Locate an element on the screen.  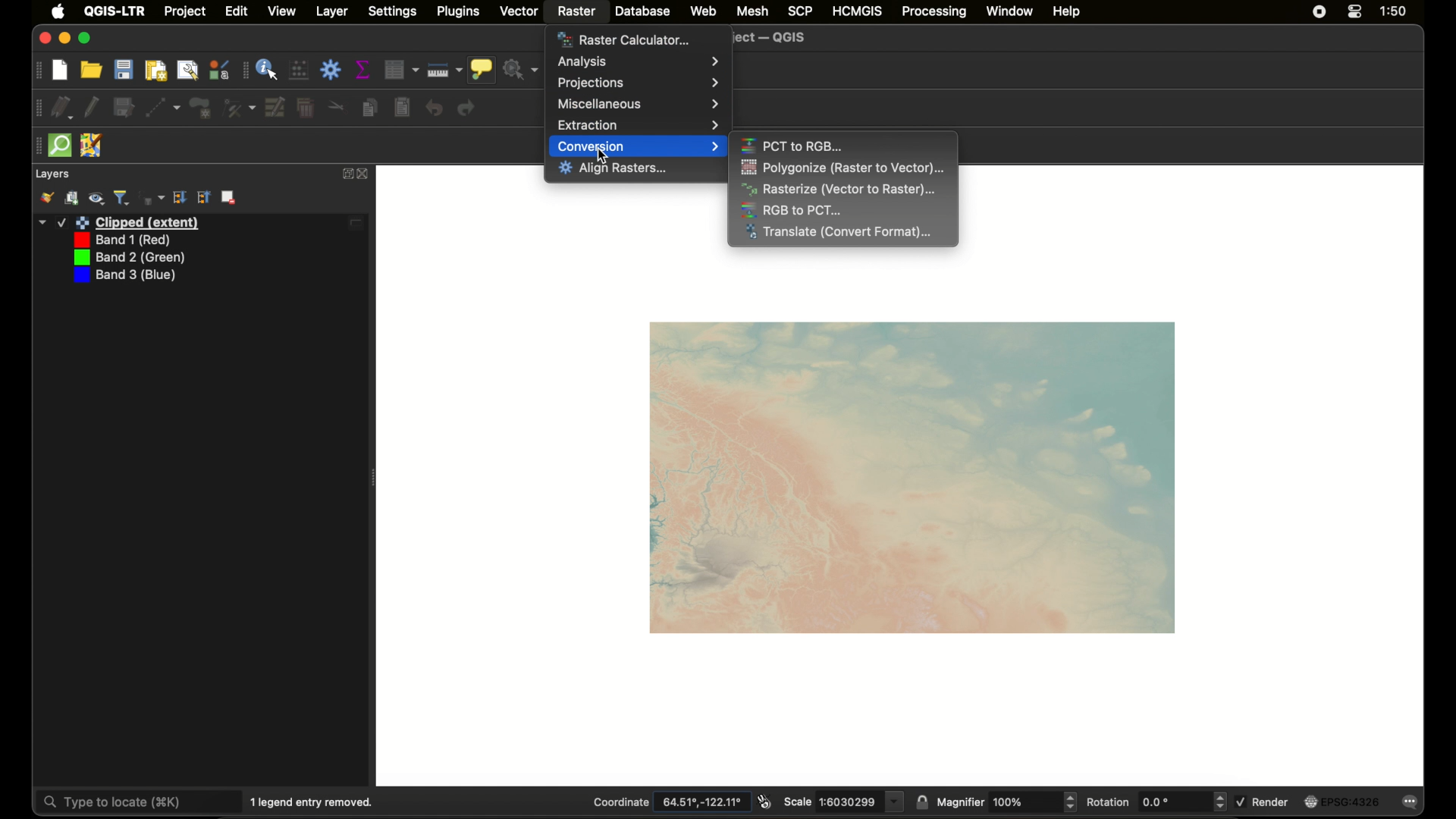
jsom remote is located at coordinates (91, 146).